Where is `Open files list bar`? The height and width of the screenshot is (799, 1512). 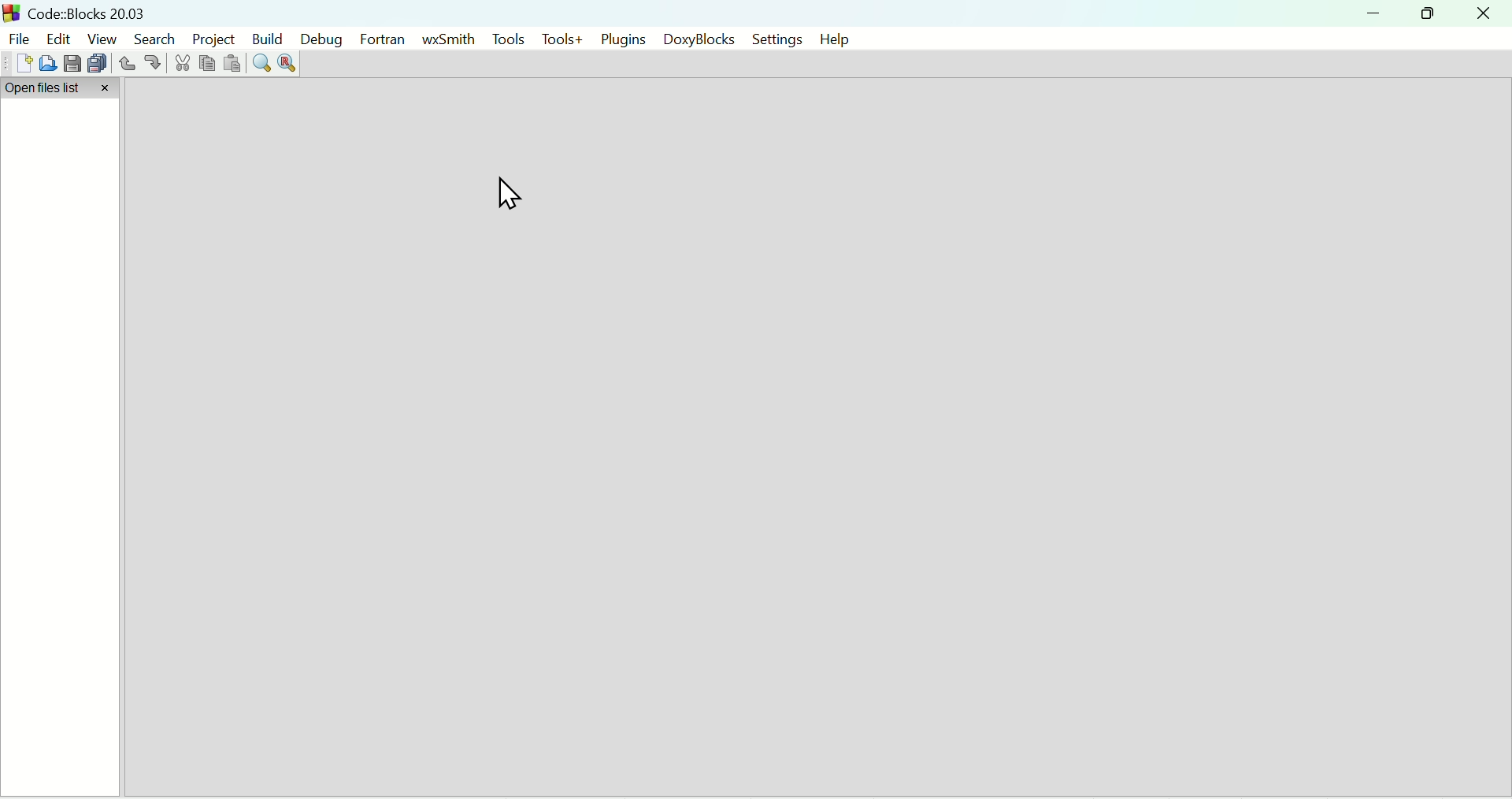 Open files list bar is located at coordinates (57, 444).